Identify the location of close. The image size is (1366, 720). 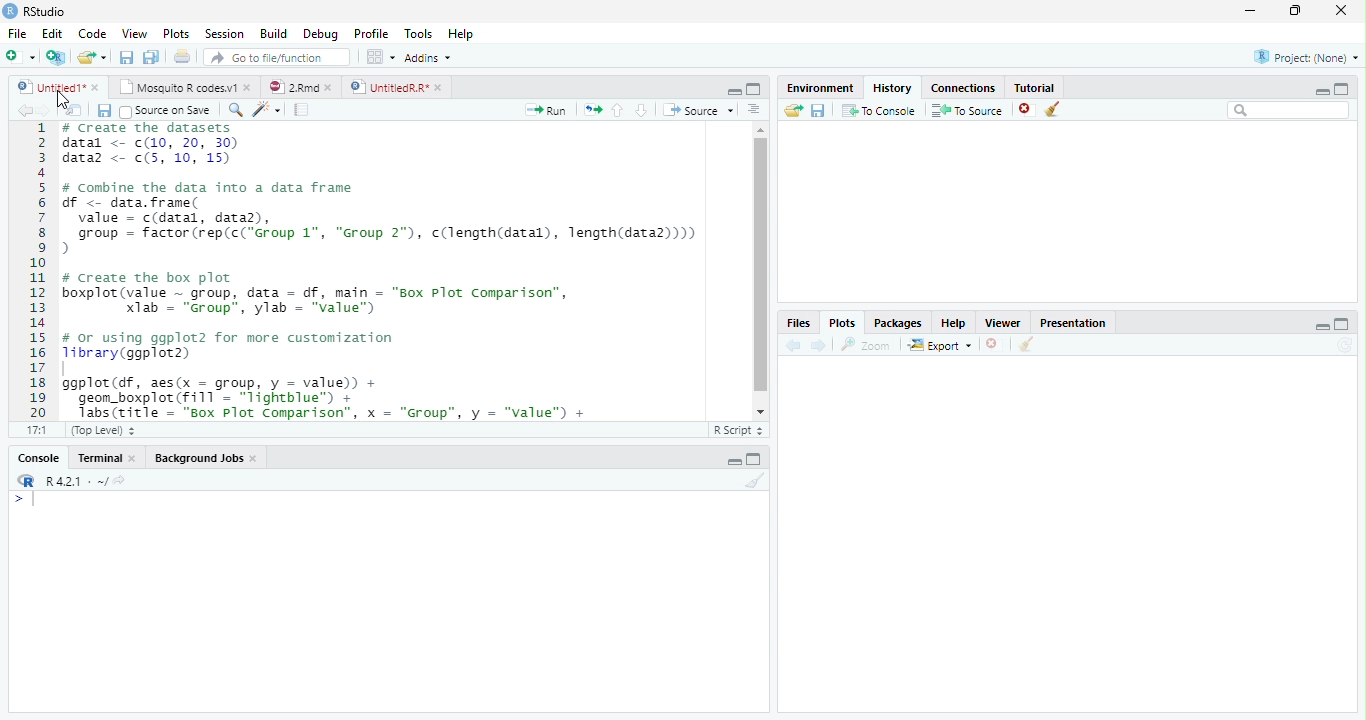
(1341, 10).